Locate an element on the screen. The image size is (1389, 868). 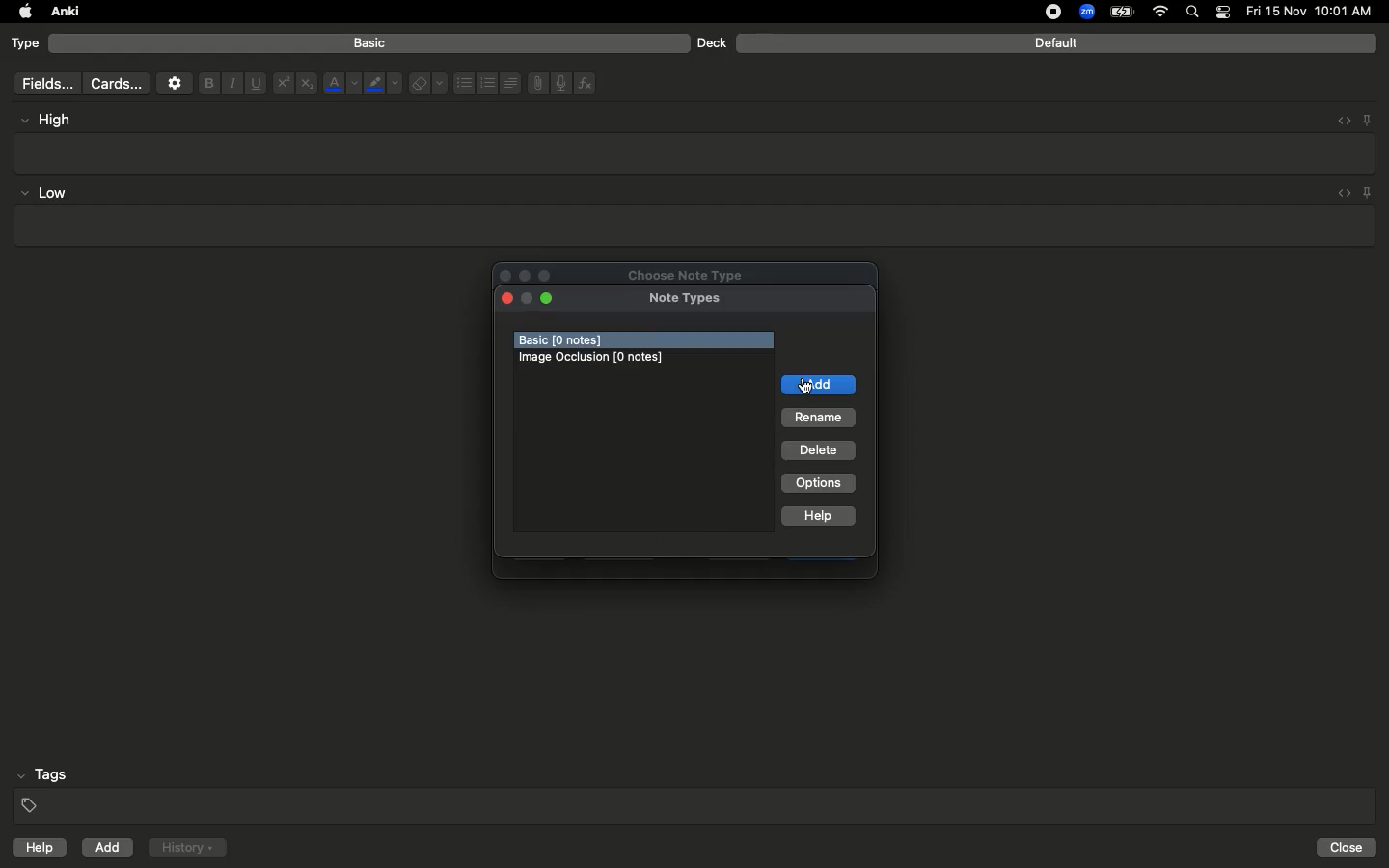
Not types is located at coordinates (693, 298).